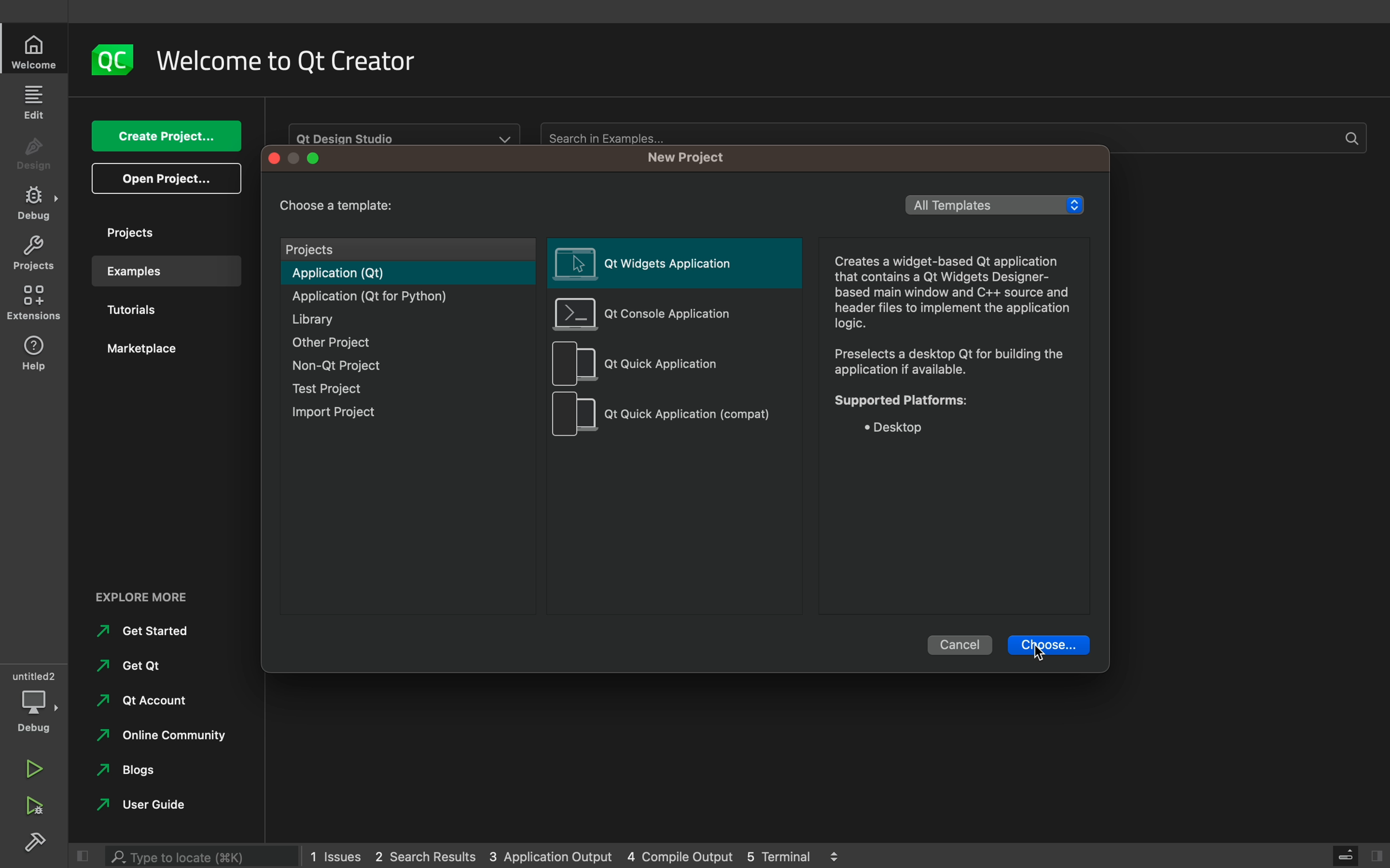 This screenshot has height=868, width=1390. I want to click on projects, so click(410, 249).